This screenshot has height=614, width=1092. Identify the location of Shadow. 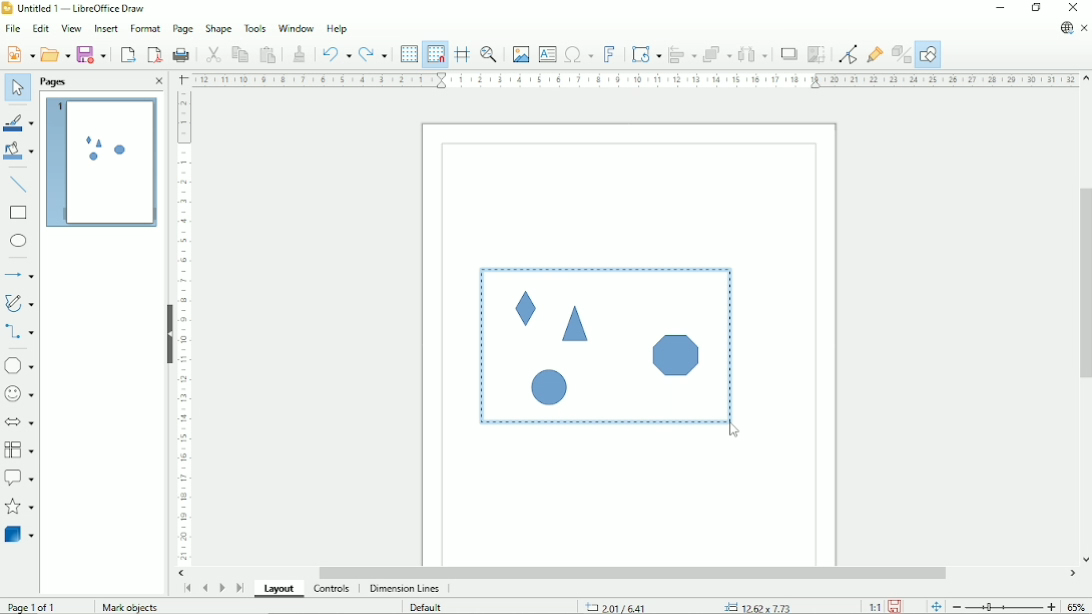
(786, 53).